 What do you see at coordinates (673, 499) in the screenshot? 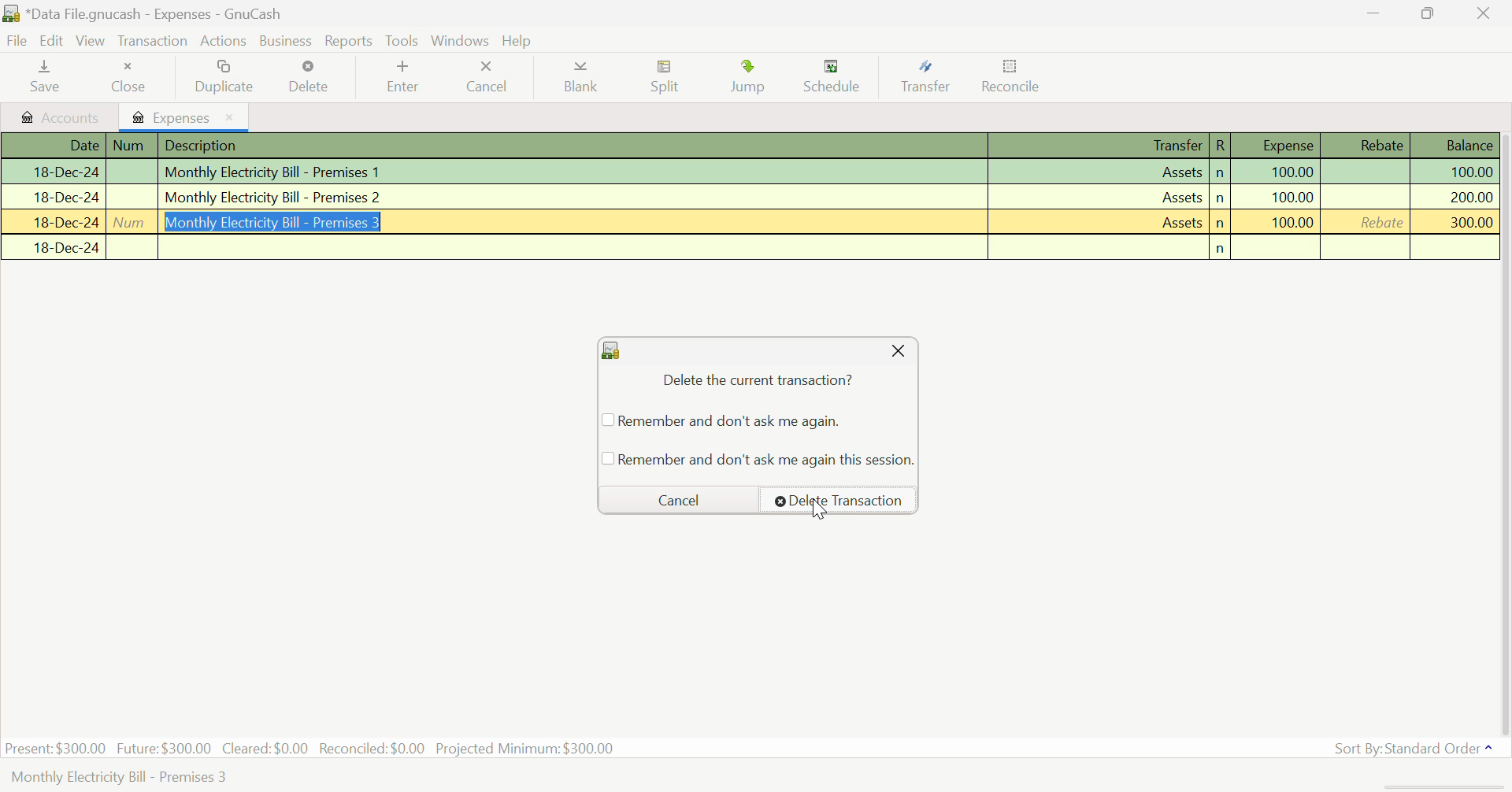
I see `cancel` at bounding box center [673, 499].